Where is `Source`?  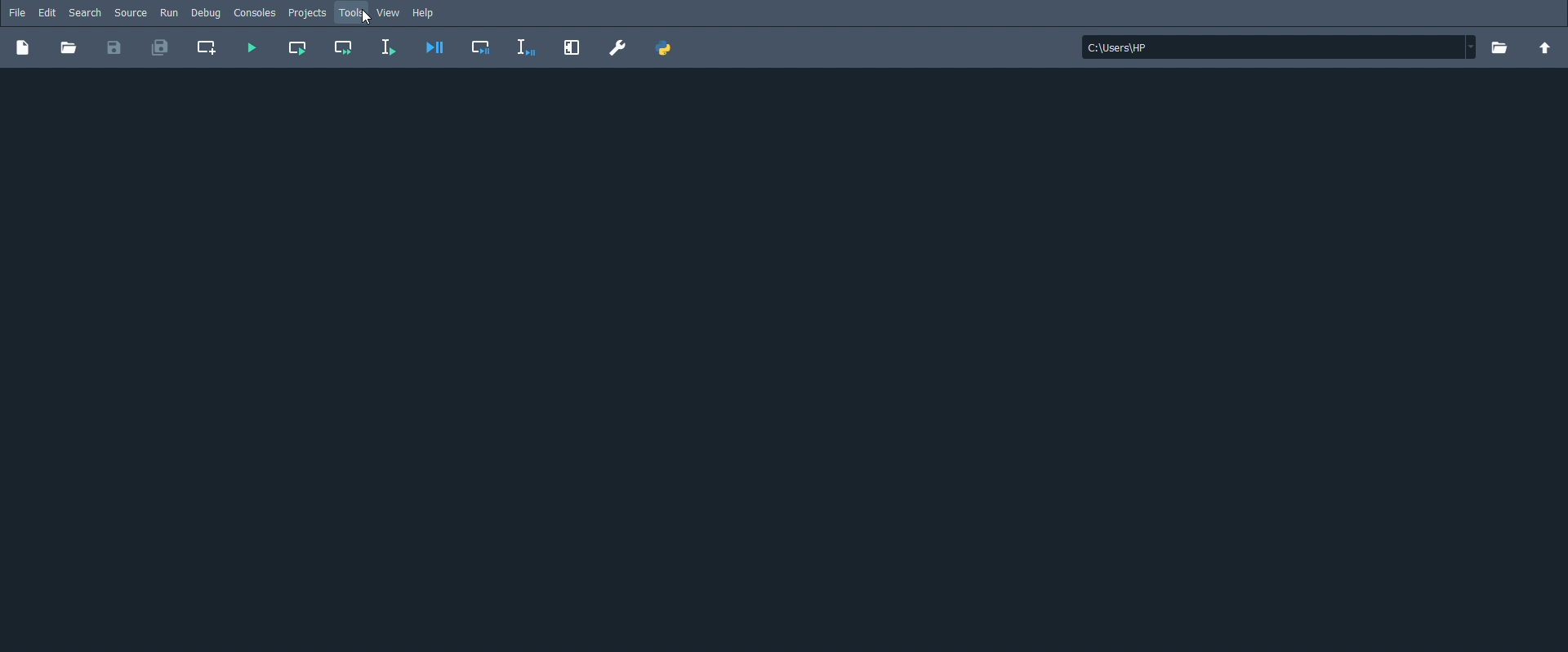 Source is located at coordinates (131, 13).